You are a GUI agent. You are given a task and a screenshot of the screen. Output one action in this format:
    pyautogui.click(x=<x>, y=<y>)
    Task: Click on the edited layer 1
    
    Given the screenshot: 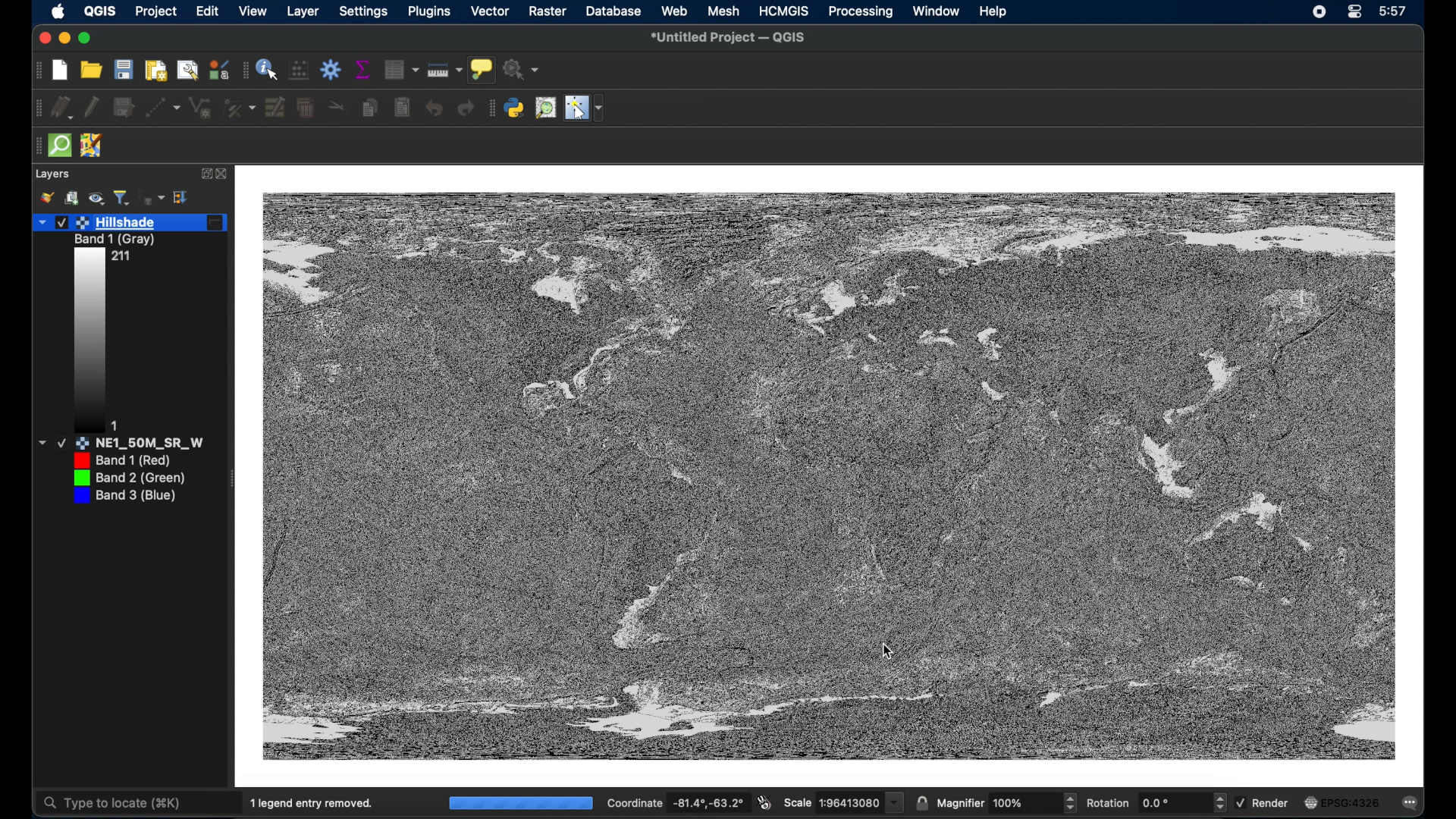 What is the action you would take?
    pyautogui.click(x=92, y=356)
    